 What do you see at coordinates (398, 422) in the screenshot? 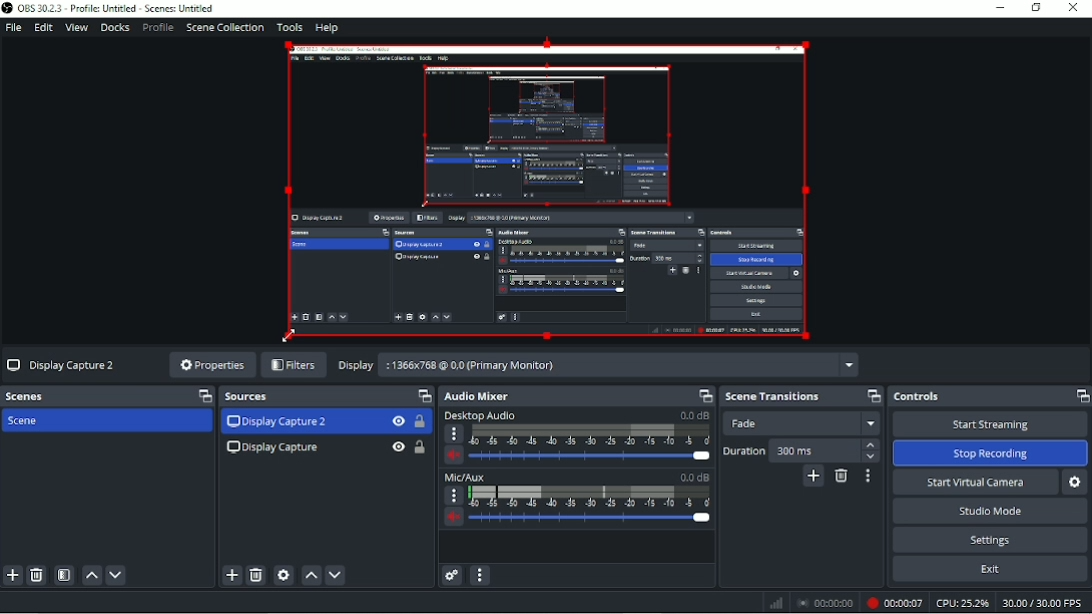
I see `Hide` at bounding box center [398, 422].